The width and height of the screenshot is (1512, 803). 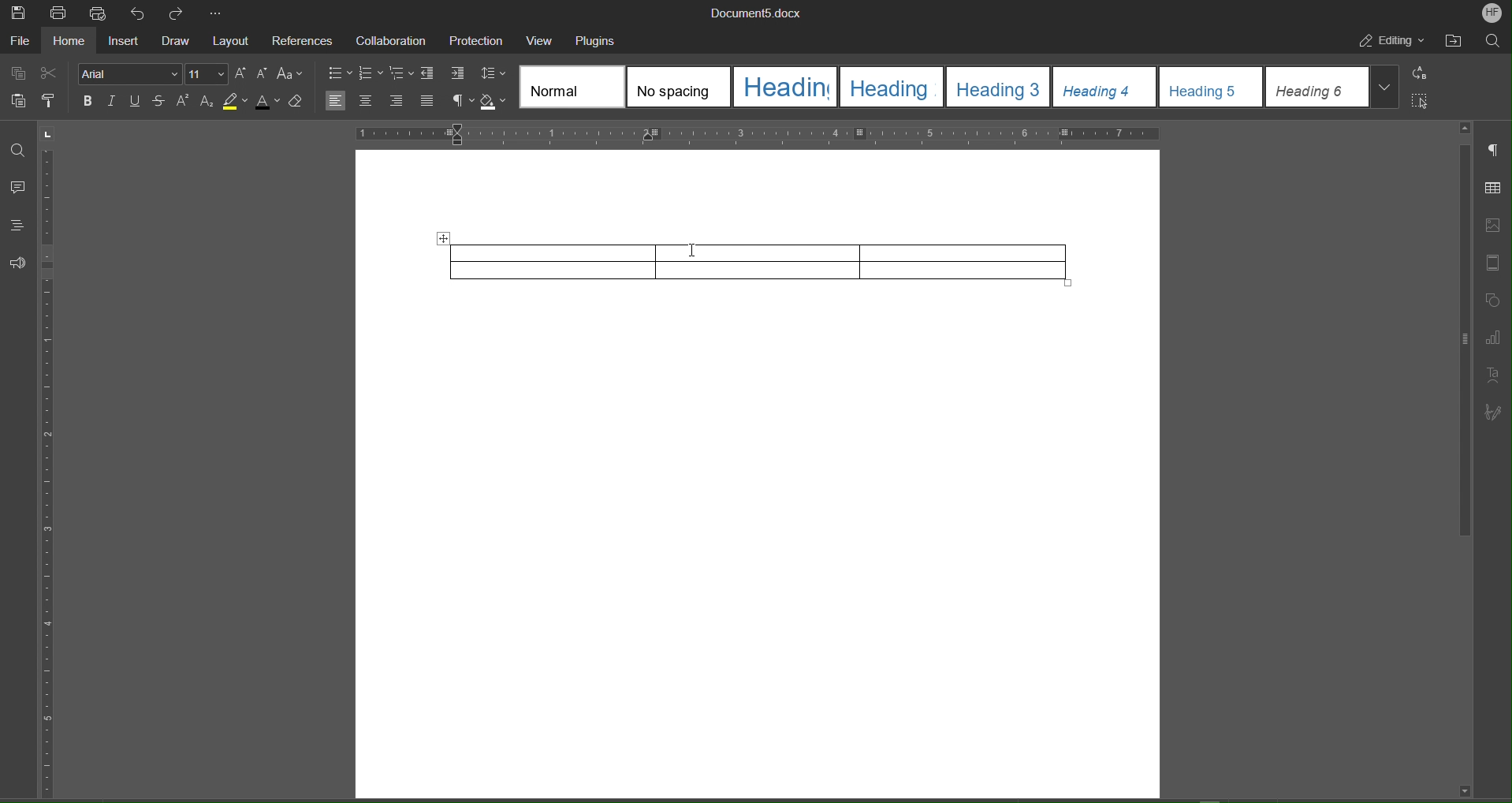 I want to click on Decrease Indent, so click(x=430, y=74).